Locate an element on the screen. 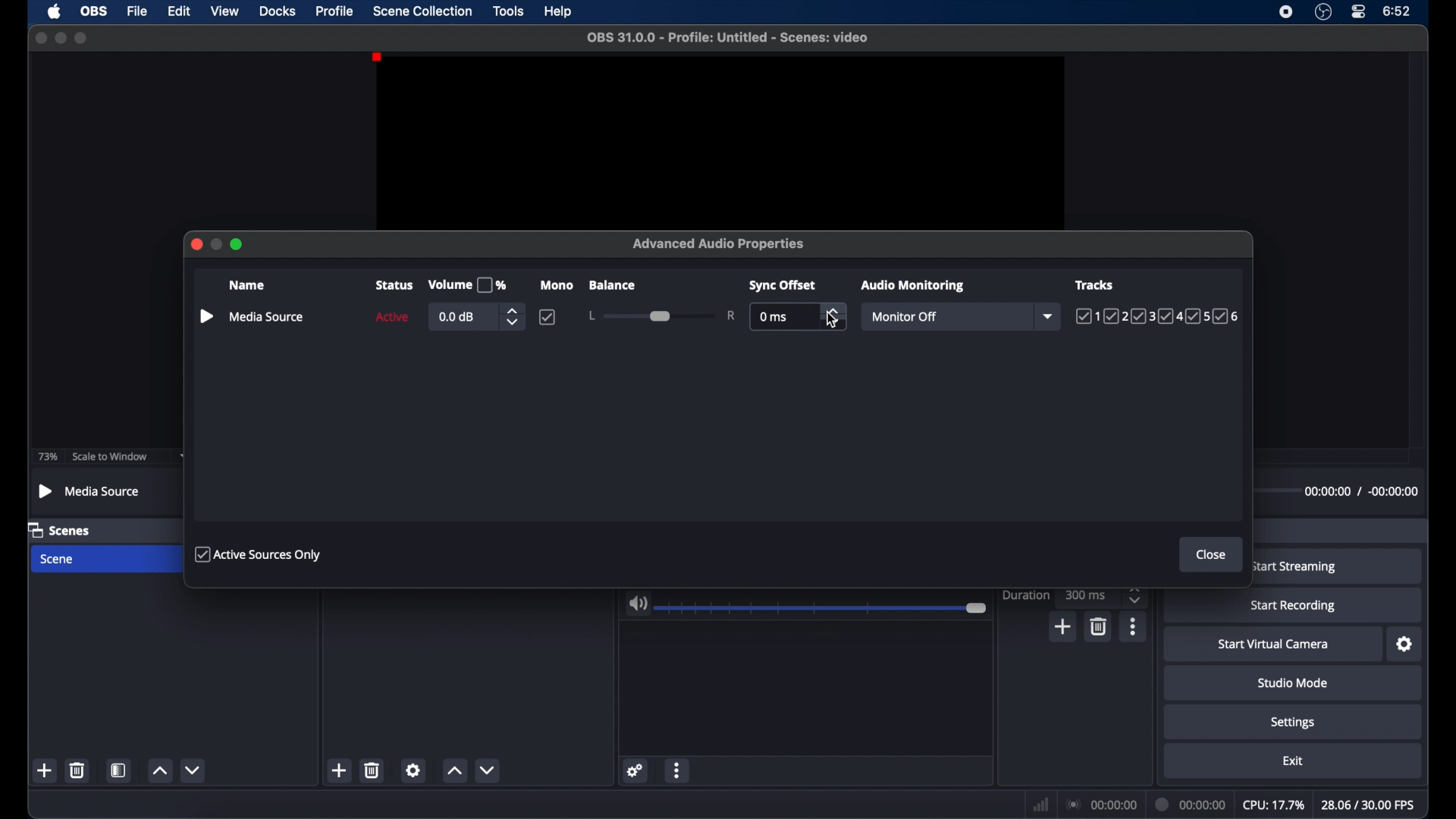 This screenshot has height=819, width=1456. settings is located at coordinates (1291, 722).